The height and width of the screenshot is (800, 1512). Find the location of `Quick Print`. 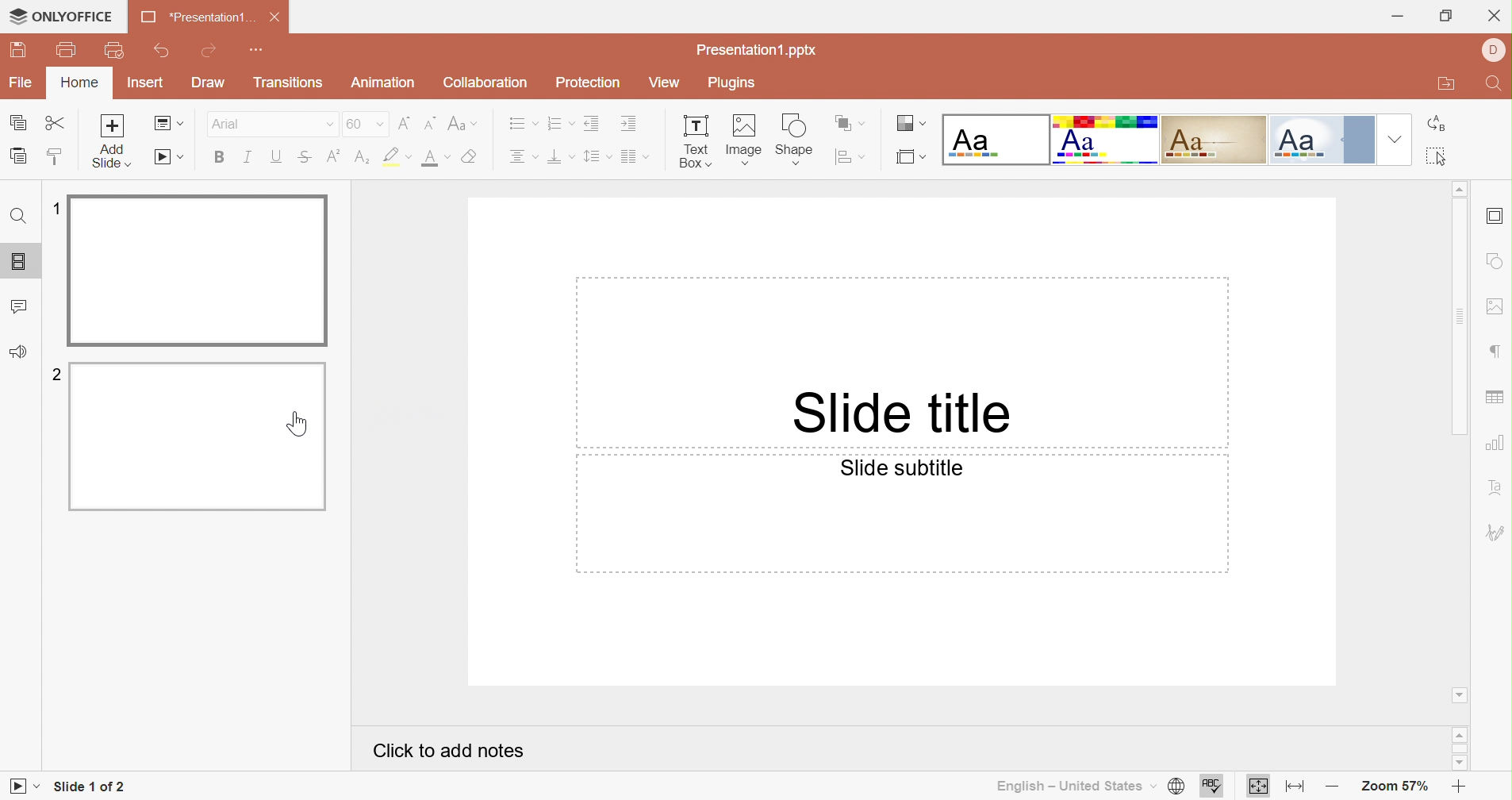

Quick Print is located at coordinates (114, 50).